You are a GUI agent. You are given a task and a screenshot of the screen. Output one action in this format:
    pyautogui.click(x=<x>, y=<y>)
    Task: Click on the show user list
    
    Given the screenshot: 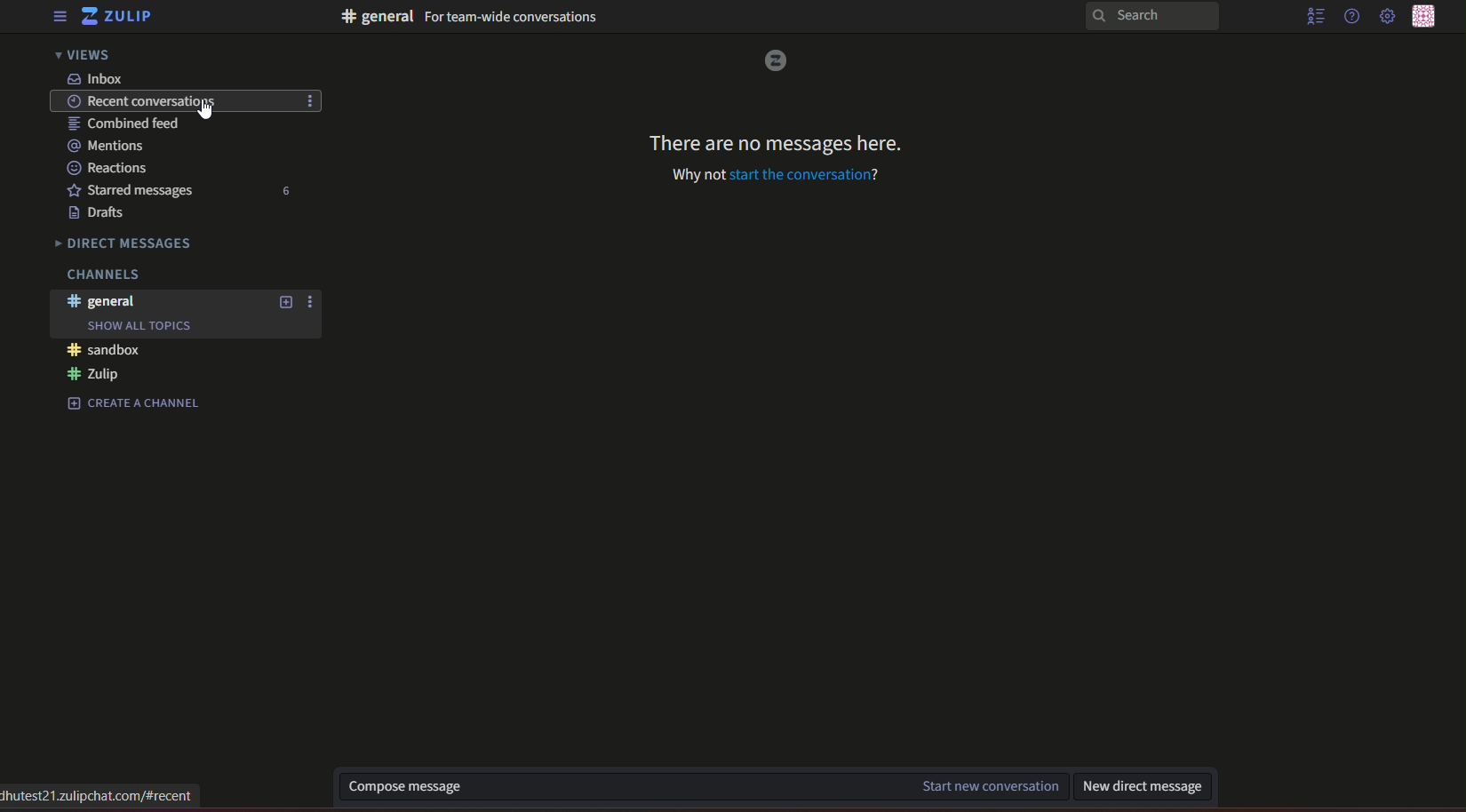 What is the action you would take?
    pyautogui.click(x=1313, y=19)
    